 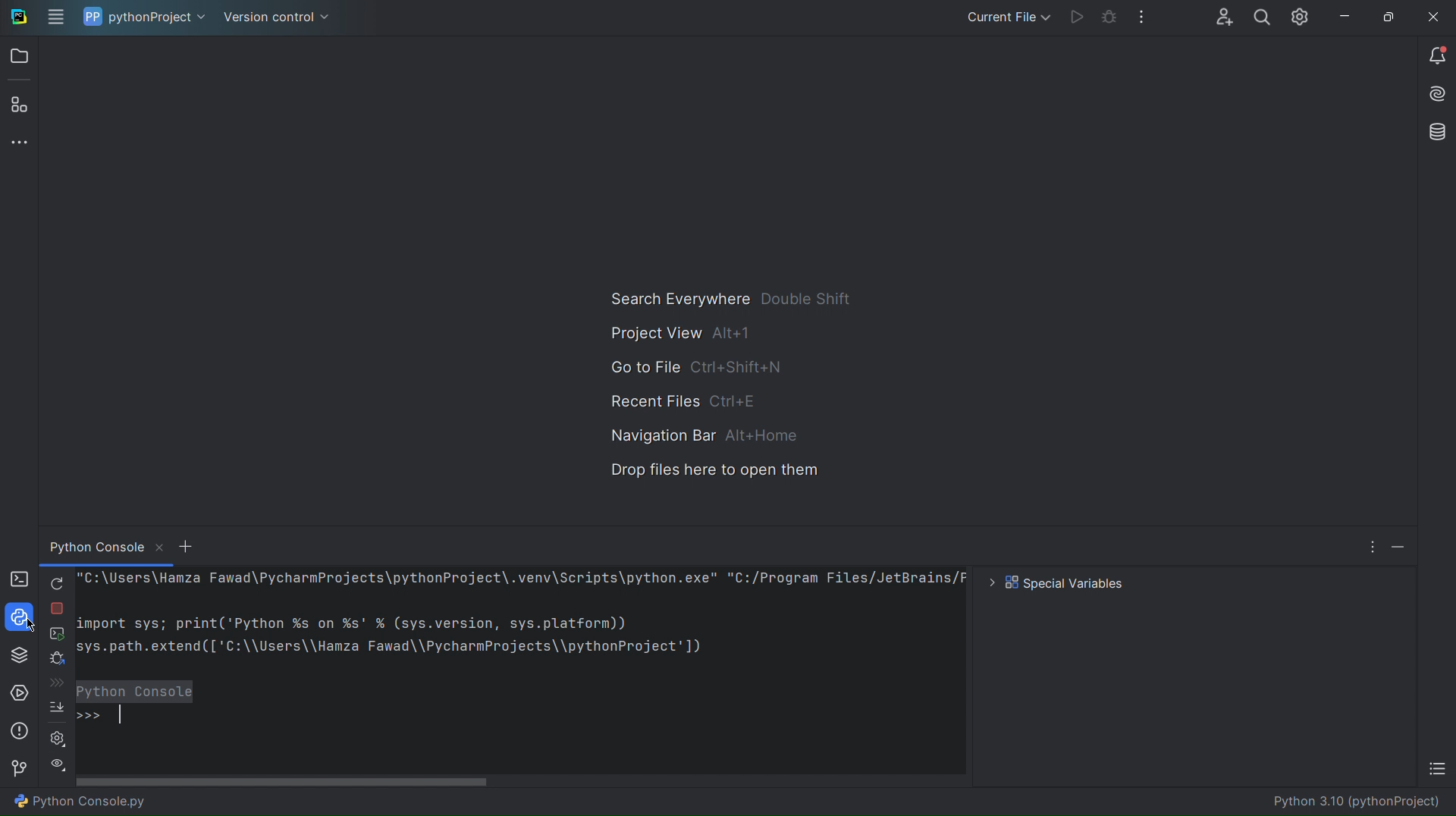 What do you see at coordinates (522, 670) in the screenshot?
I see `"C:\Users\Hamza Fawad\PycharmProjects\pythonProject\.venv\Scripts\python.exe" "C:/Program Files/JetBrains/Fport sys; print('Python %s on %s' % (sys.version, sys.platform))sys.path.extend(['C:\\Users\\Hamza Fawad\\PycharmProjects\\pythonProject'])Python Consol` at bounding box center [522, 670].